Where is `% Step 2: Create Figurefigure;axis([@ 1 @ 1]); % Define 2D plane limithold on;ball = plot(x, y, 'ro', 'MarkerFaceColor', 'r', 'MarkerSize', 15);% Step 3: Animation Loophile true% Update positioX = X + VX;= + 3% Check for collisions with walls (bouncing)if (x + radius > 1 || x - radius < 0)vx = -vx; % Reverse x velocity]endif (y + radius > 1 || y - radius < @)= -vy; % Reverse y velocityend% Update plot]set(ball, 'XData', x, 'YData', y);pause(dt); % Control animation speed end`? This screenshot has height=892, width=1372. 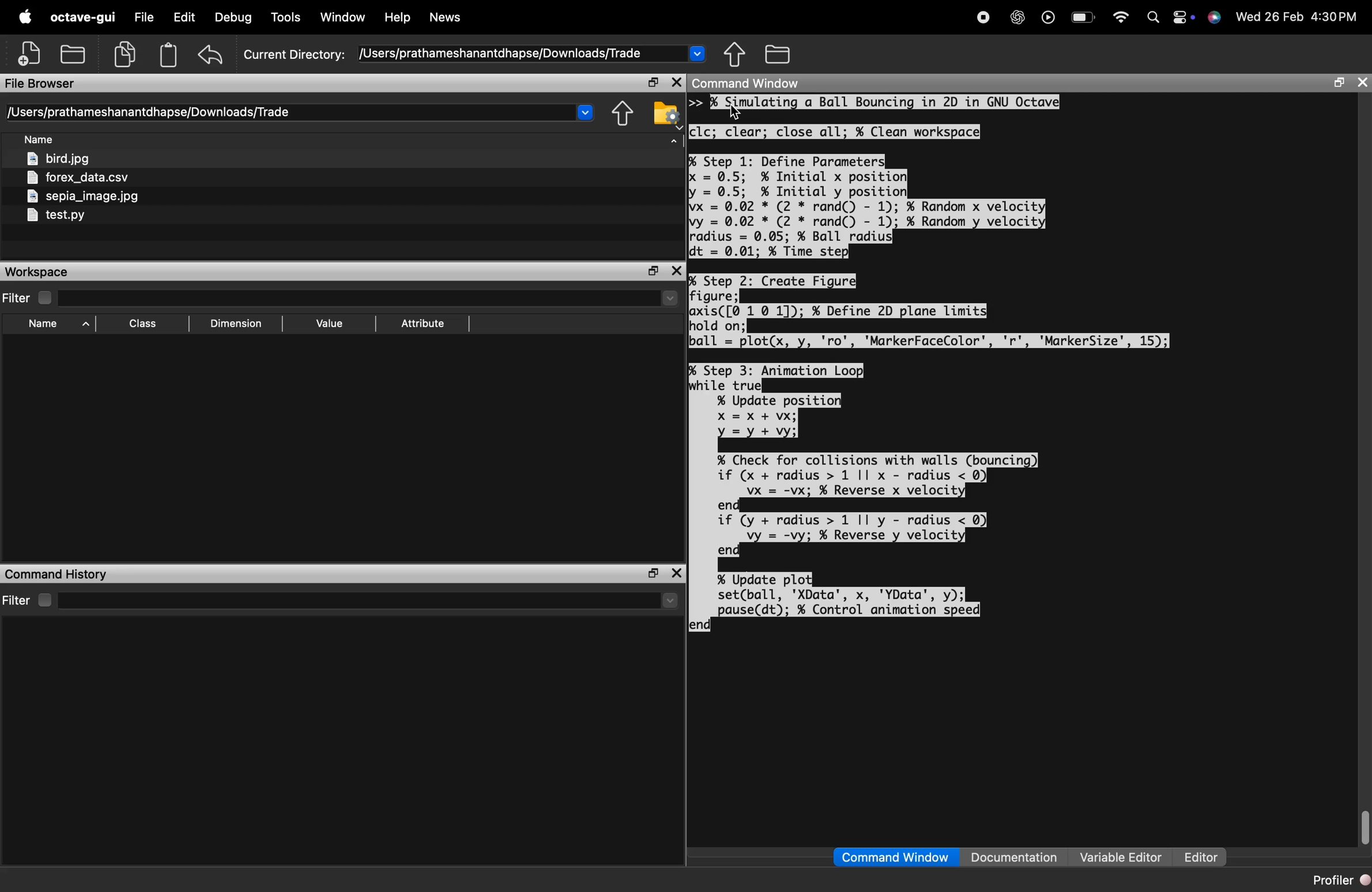
% Step 2: Create Figurefigure;axis([@ 1 @ 1]); % Define 2D plane limithold on;ball = plot(x, y, 'ro', 'MarkerFaceColor', 'r', 'MarkerSize', 15);% Step 3: Animation Loophile true% Update positioX = X + VX;= + 3% Check for collisions with walls (bouncing)if (x + radius > 1 || x - radius < 0)vx = -vx; % Reverse x velocity]endif (y + radius > 1 || y - radius < @)= -vy; % Reverse y velocityend% Update plot]set(ball, 'XData', x, 'YData', y);pause(dt); % Control animation speed end is located at coordinates (930, 453).